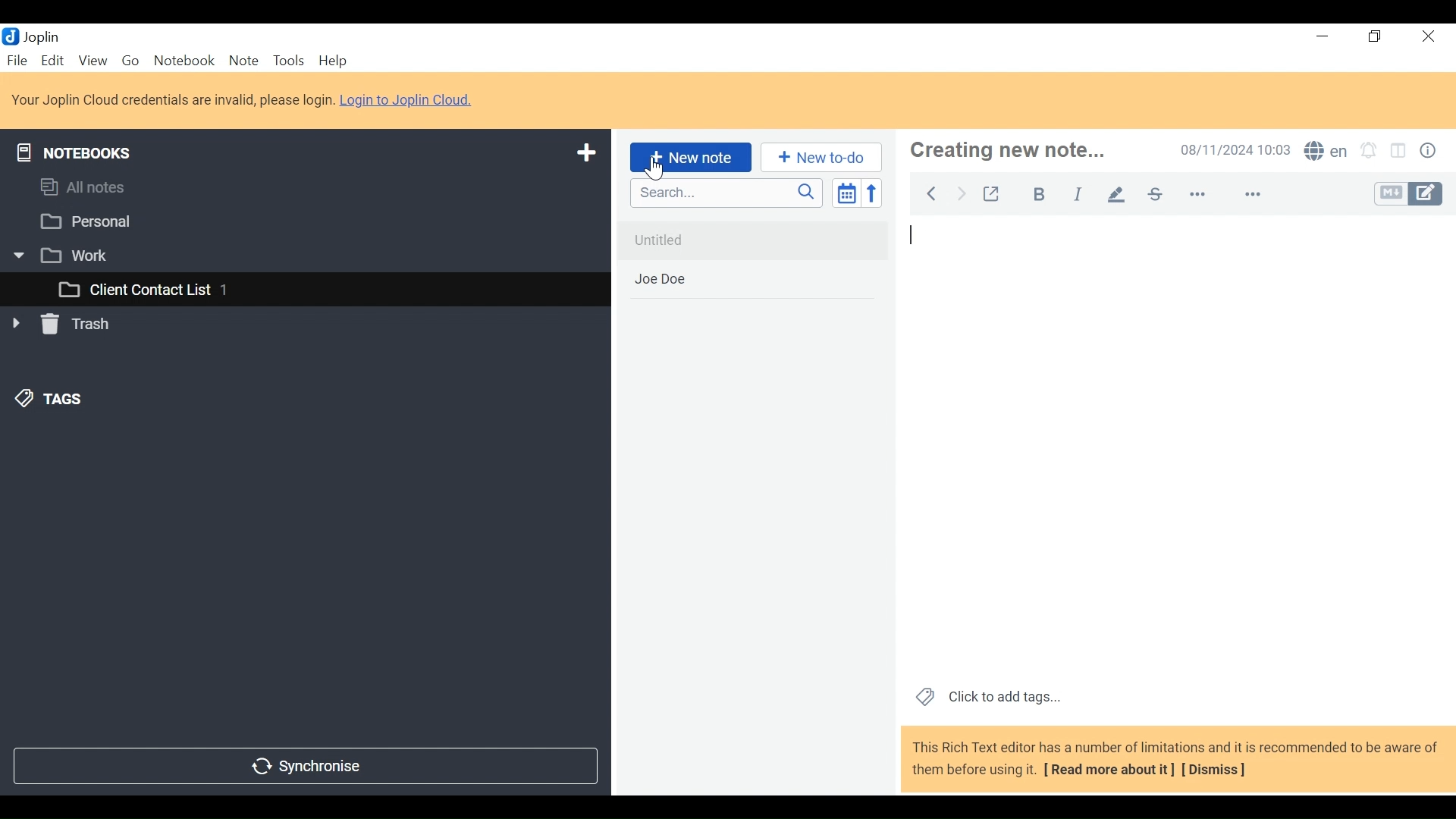 This screenshot has height=819, width=1456. I want to click on This Rich Text editor has a number of limitations and it is recommended to be aware before using it. (Read more about it) (Dismiss), so click(1173, 761).